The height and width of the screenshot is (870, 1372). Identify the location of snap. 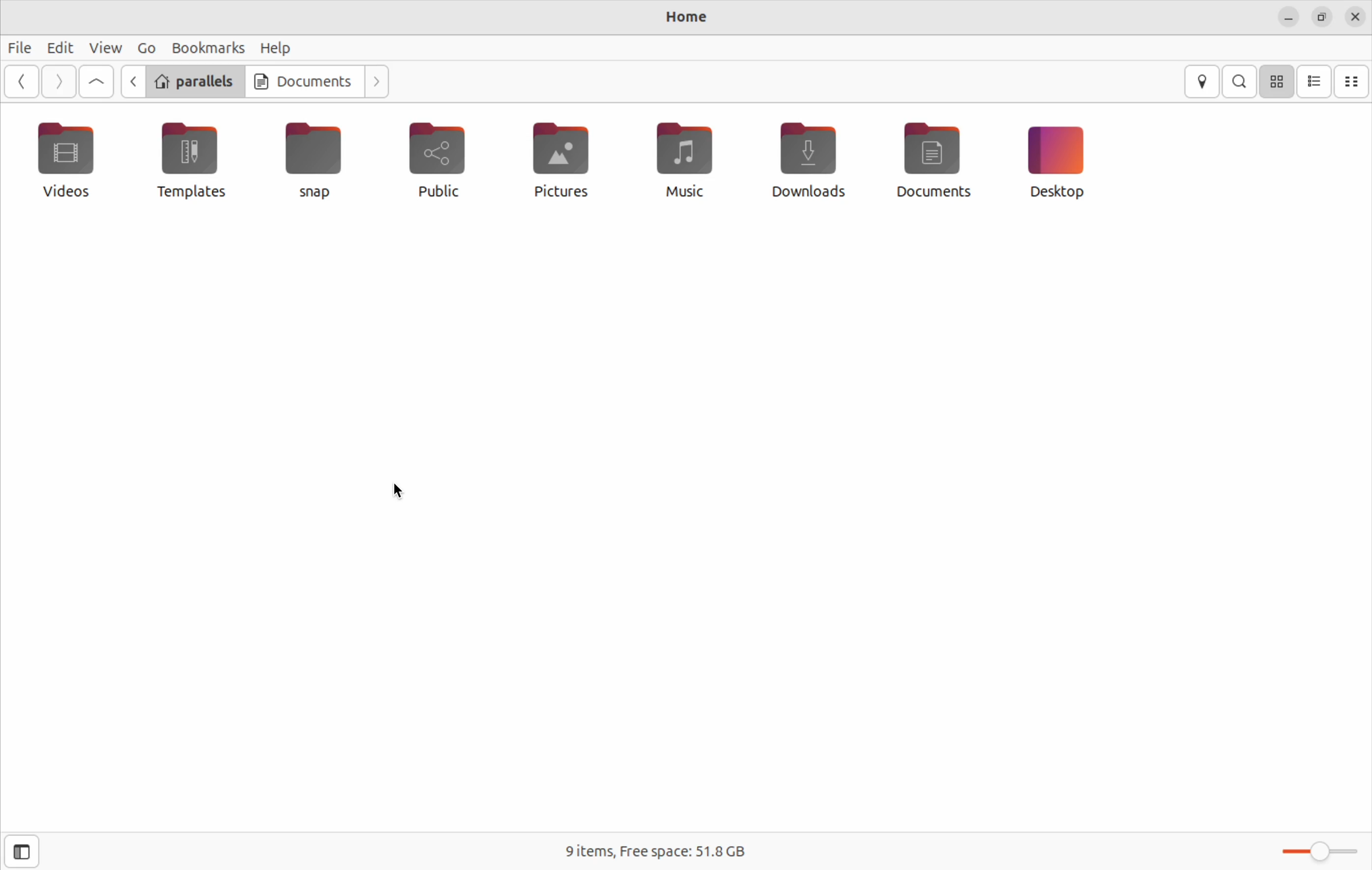
(305, 164).